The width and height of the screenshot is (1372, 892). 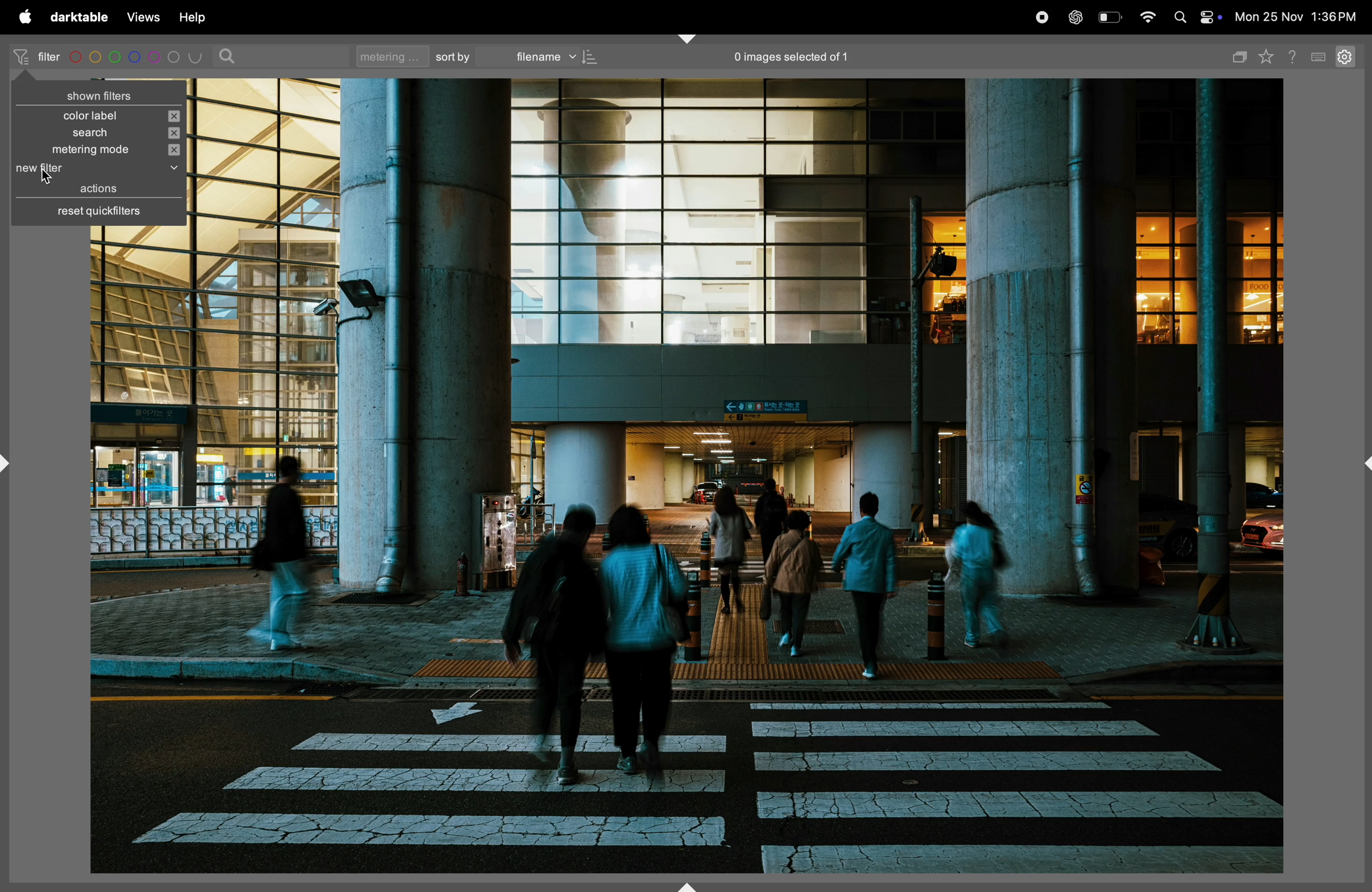 I want to click on wifi, so click(x=1148, y=17).